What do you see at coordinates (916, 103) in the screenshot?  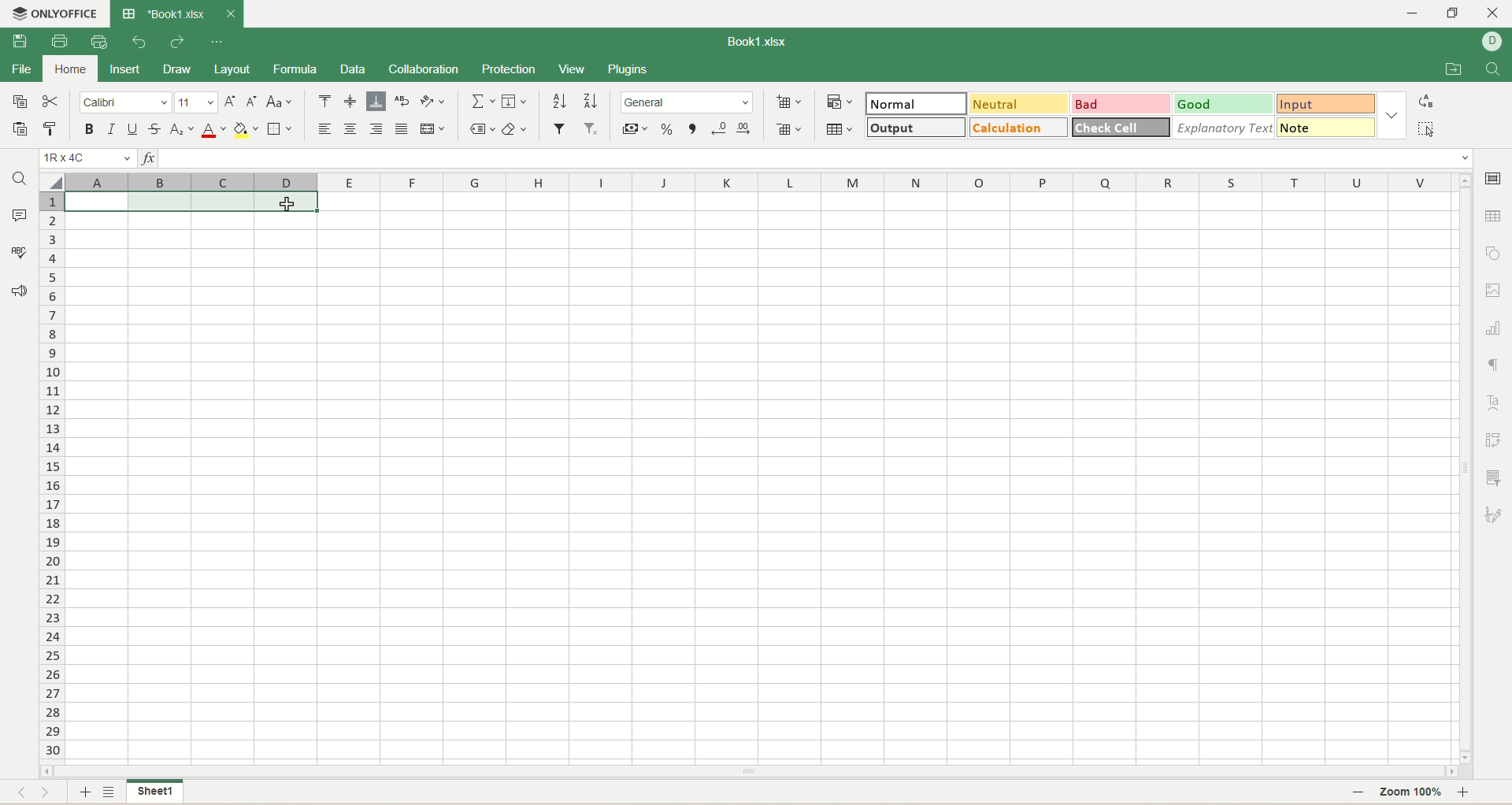 I see `normal` at bounding box center [916, 103].